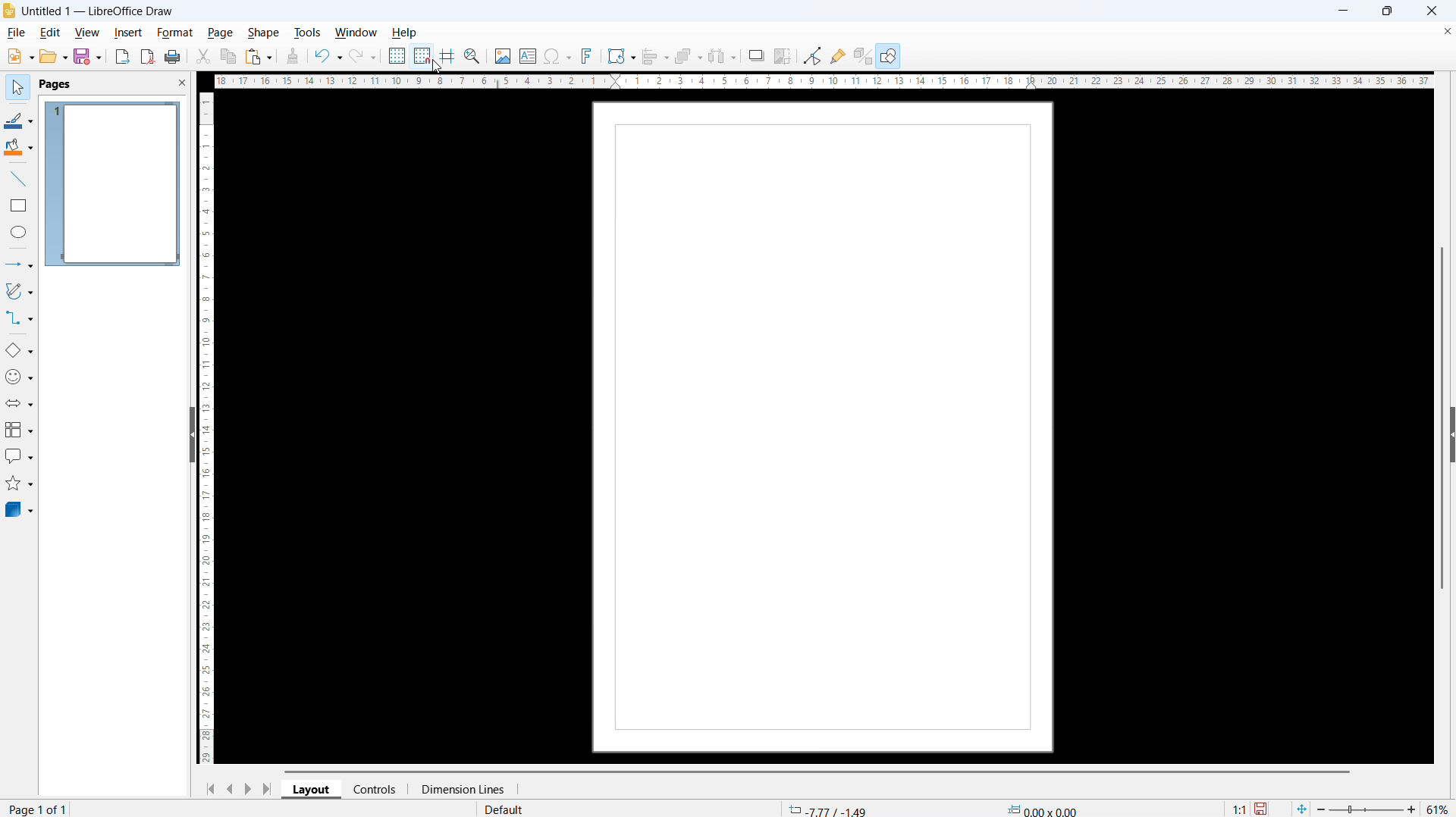 The image size is (1456, 817). Describe the element at coordinates (128, 33) in the screenshot. I see `Insert ` at that location.